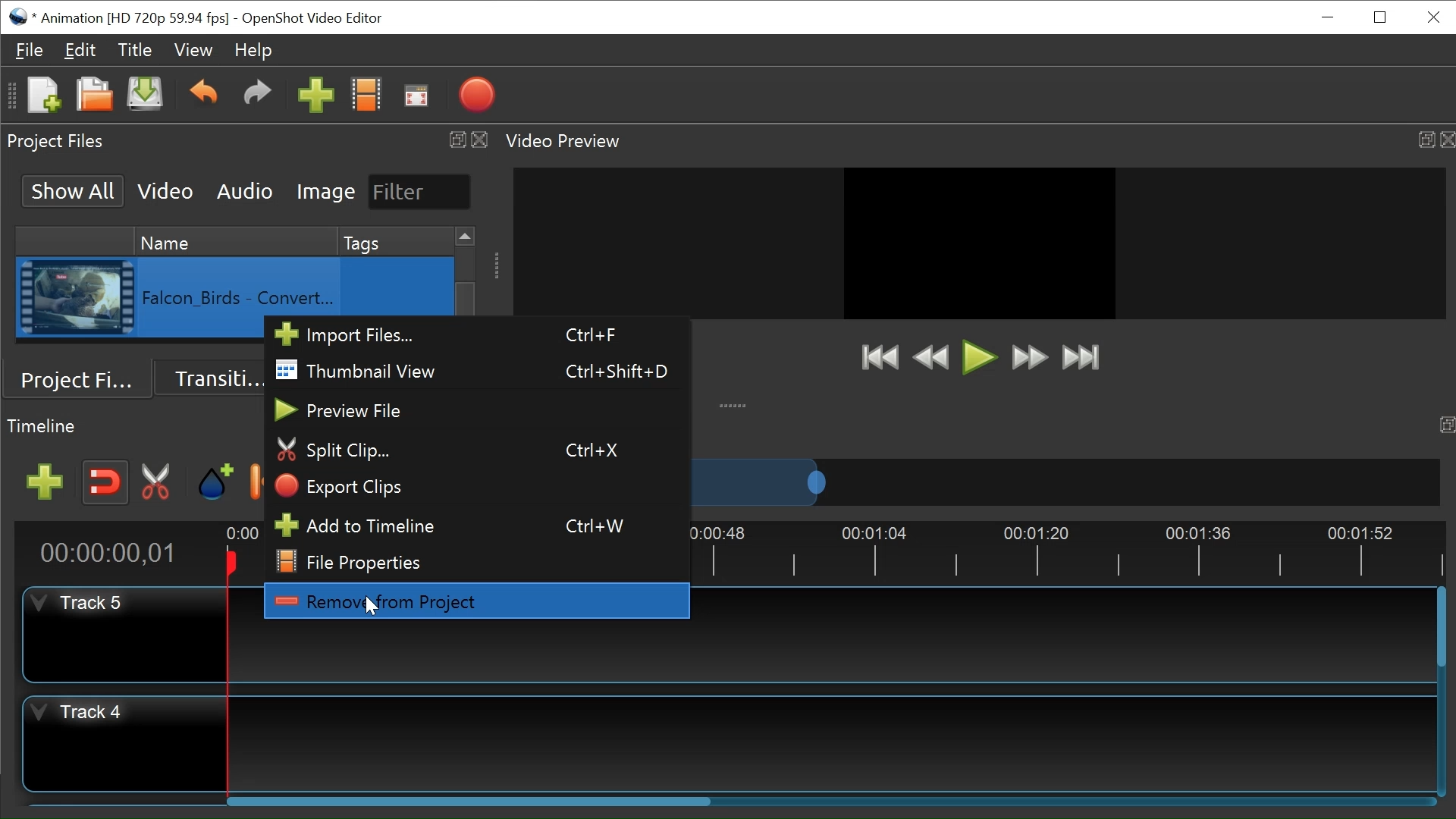  Describe the element at coordinates (1030, 357) in the screenshot. I see `Fast Forward` at that location.